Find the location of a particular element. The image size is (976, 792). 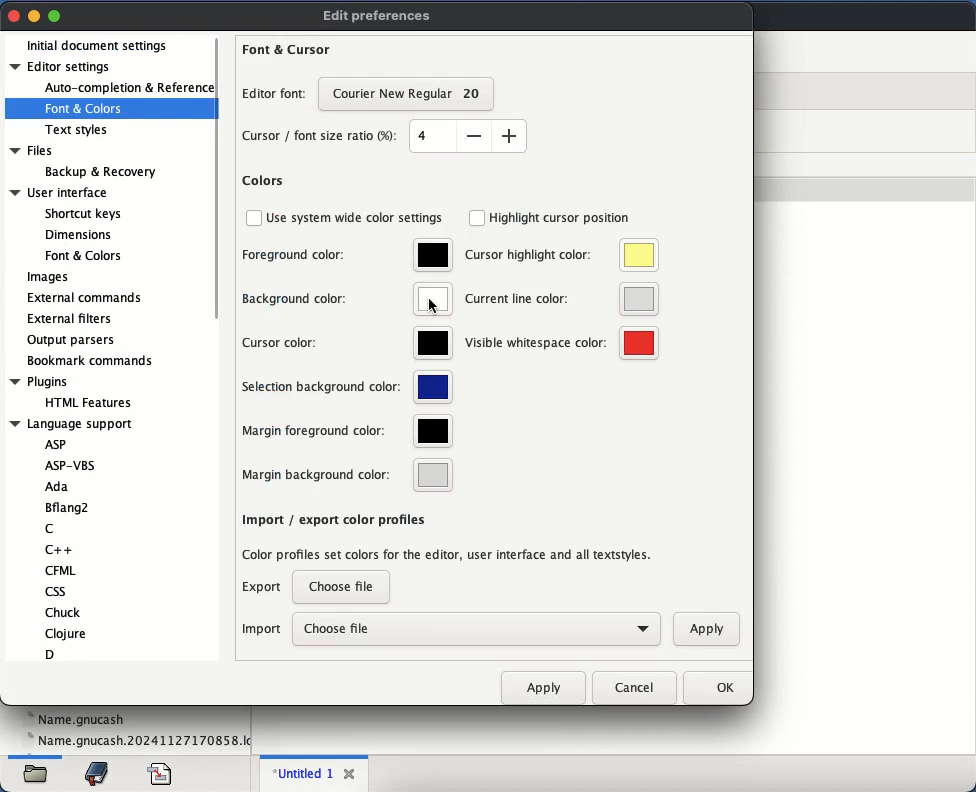

margin foreground color  is located at coordinates (349, 433).